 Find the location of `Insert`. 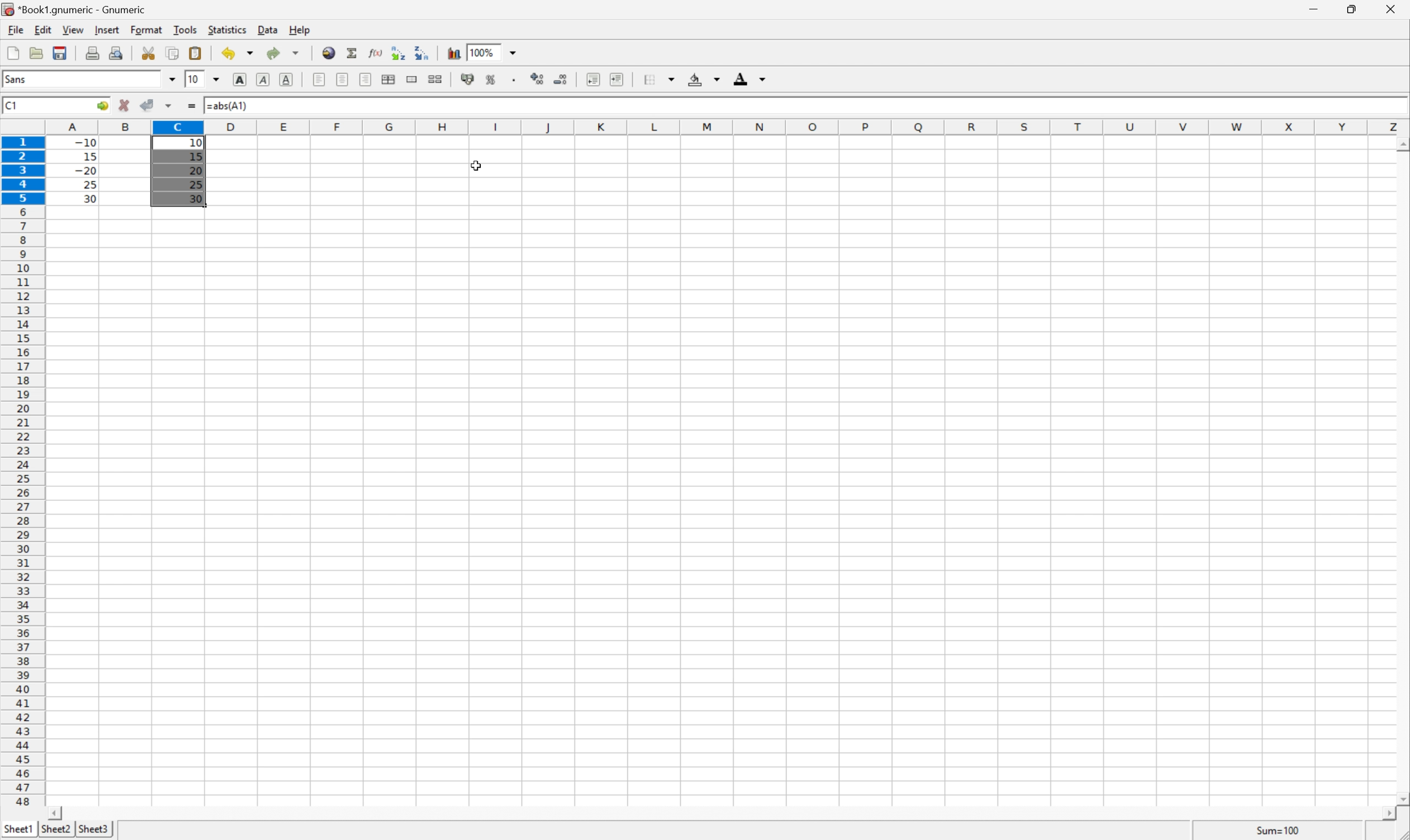

Insert is located at coordinates (108, 30).